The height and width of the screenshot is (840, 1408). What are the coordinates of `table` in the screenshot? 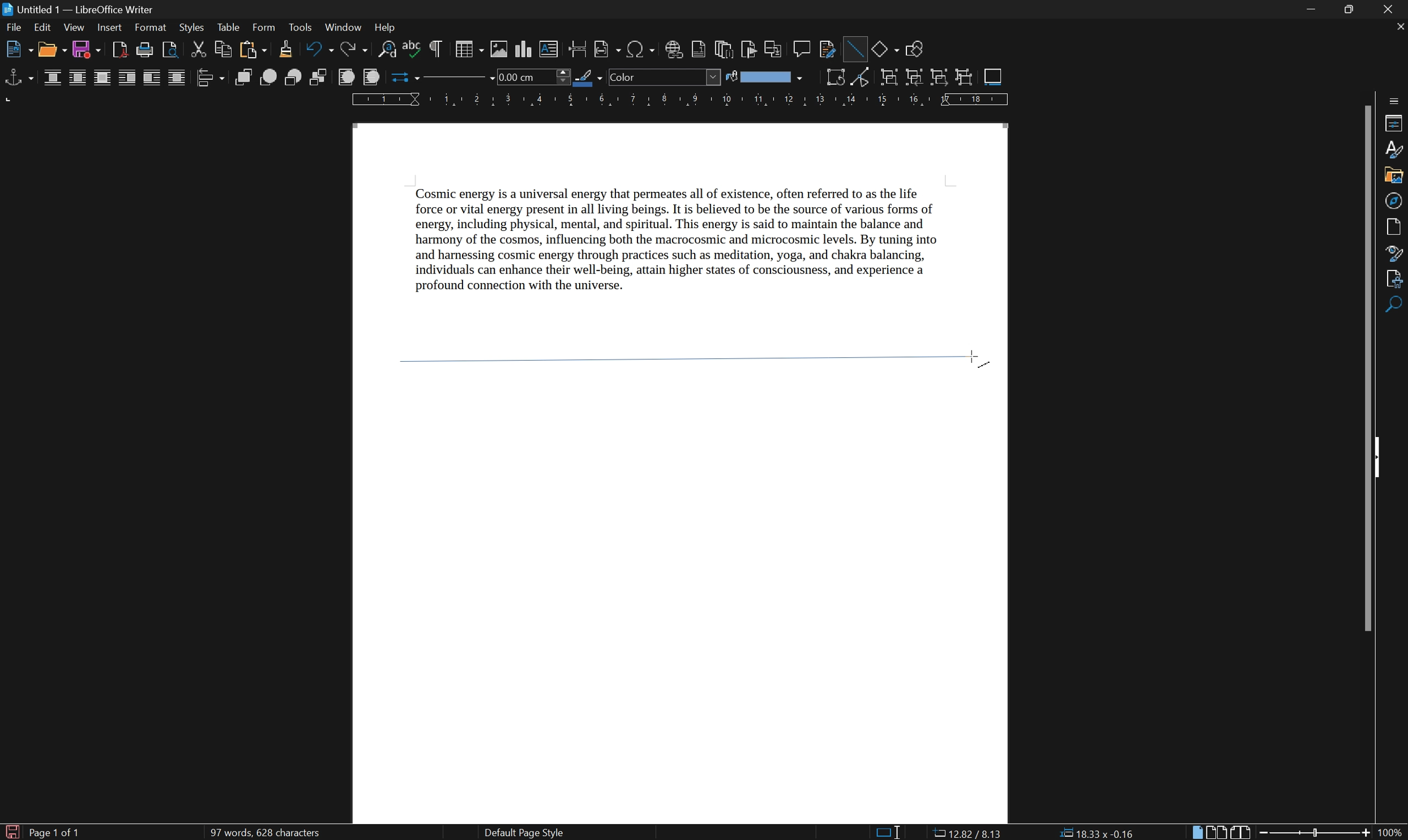 It's located at (228, 28).